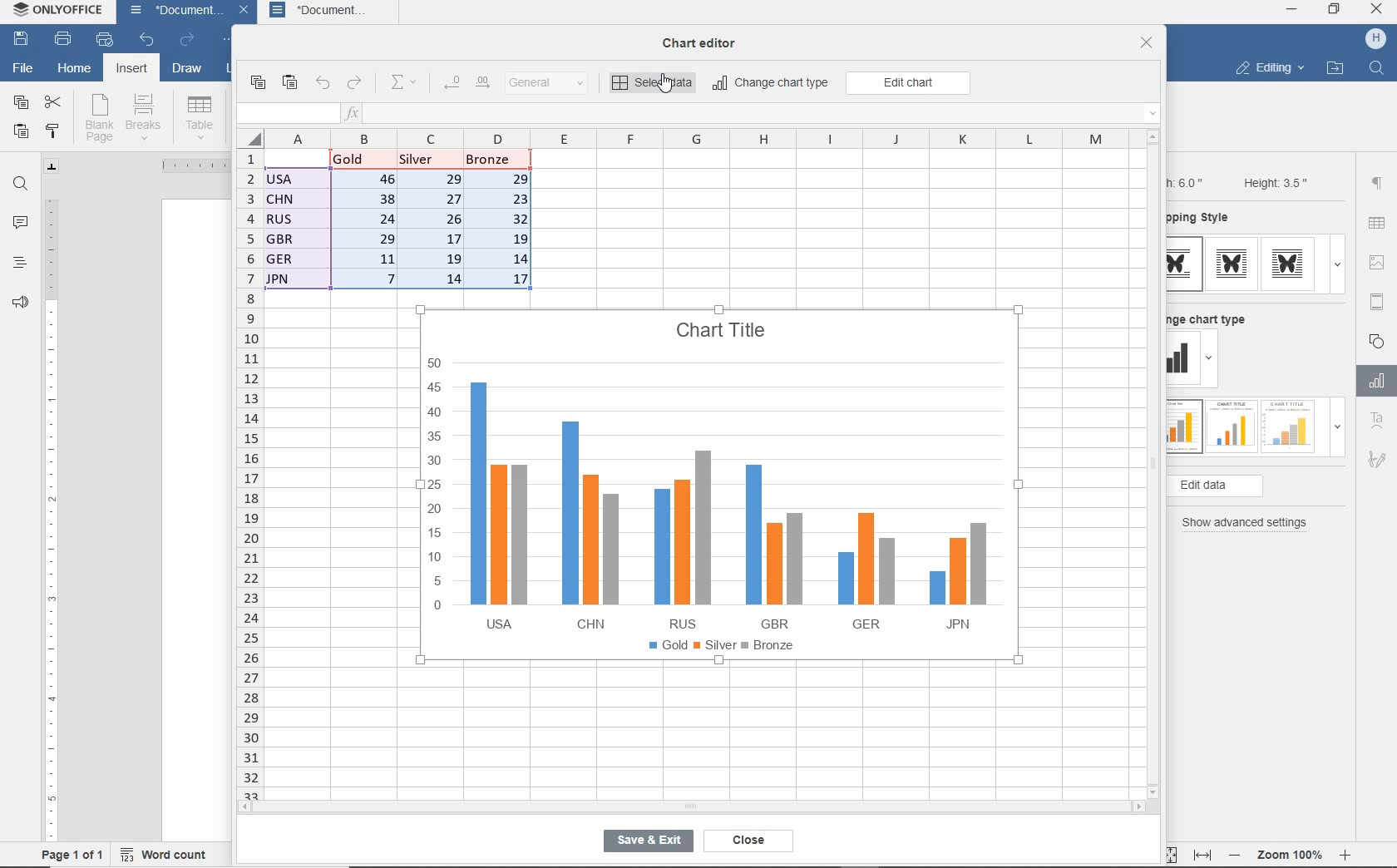 This screenshot has width=1397, height=868. Describe the element at coordinates (18, 264) in the screenshot. I see `headings` at that location.